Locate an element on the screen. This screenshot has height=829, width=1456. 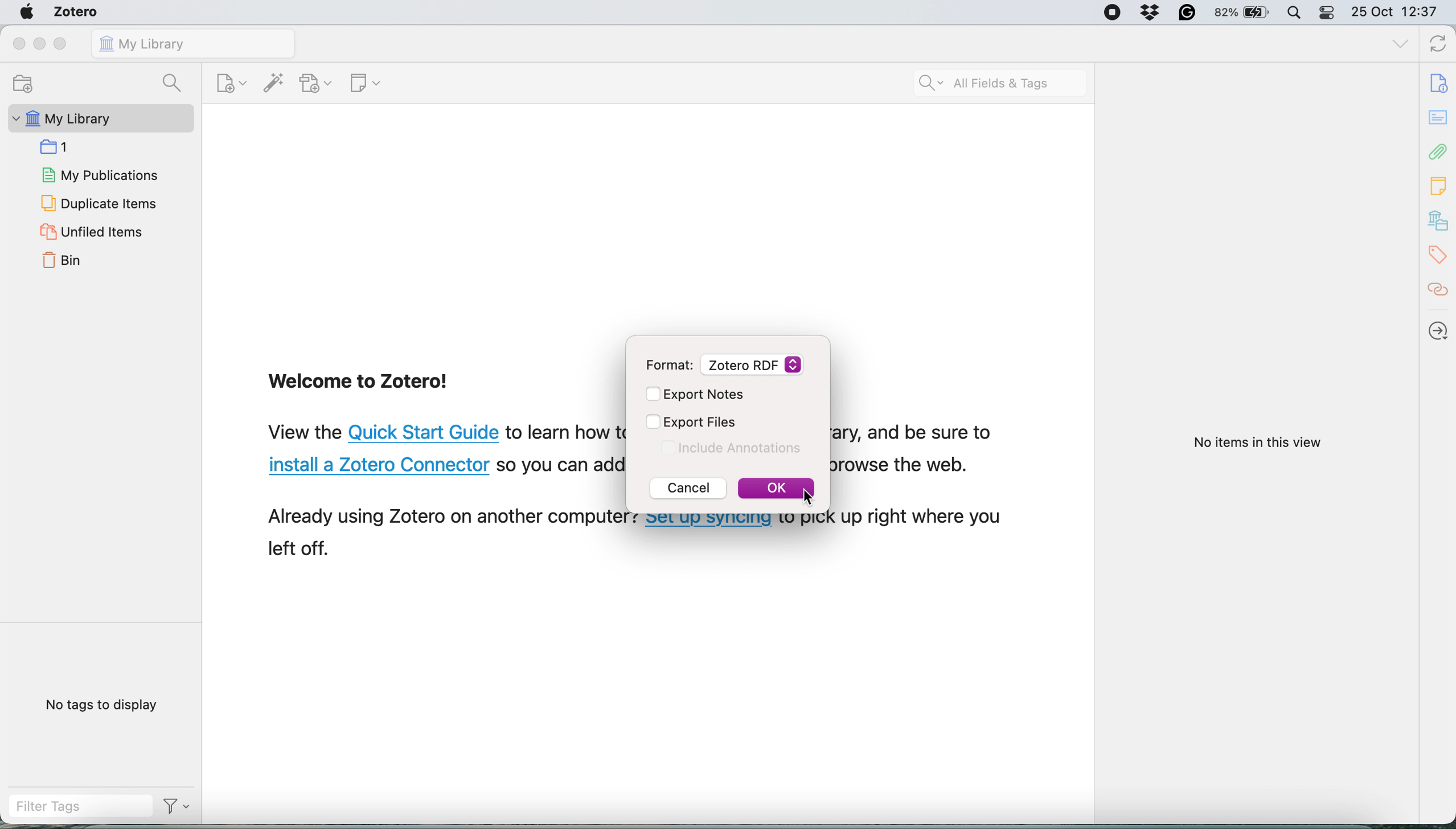
Cancel is located at coordinates (692, 487).